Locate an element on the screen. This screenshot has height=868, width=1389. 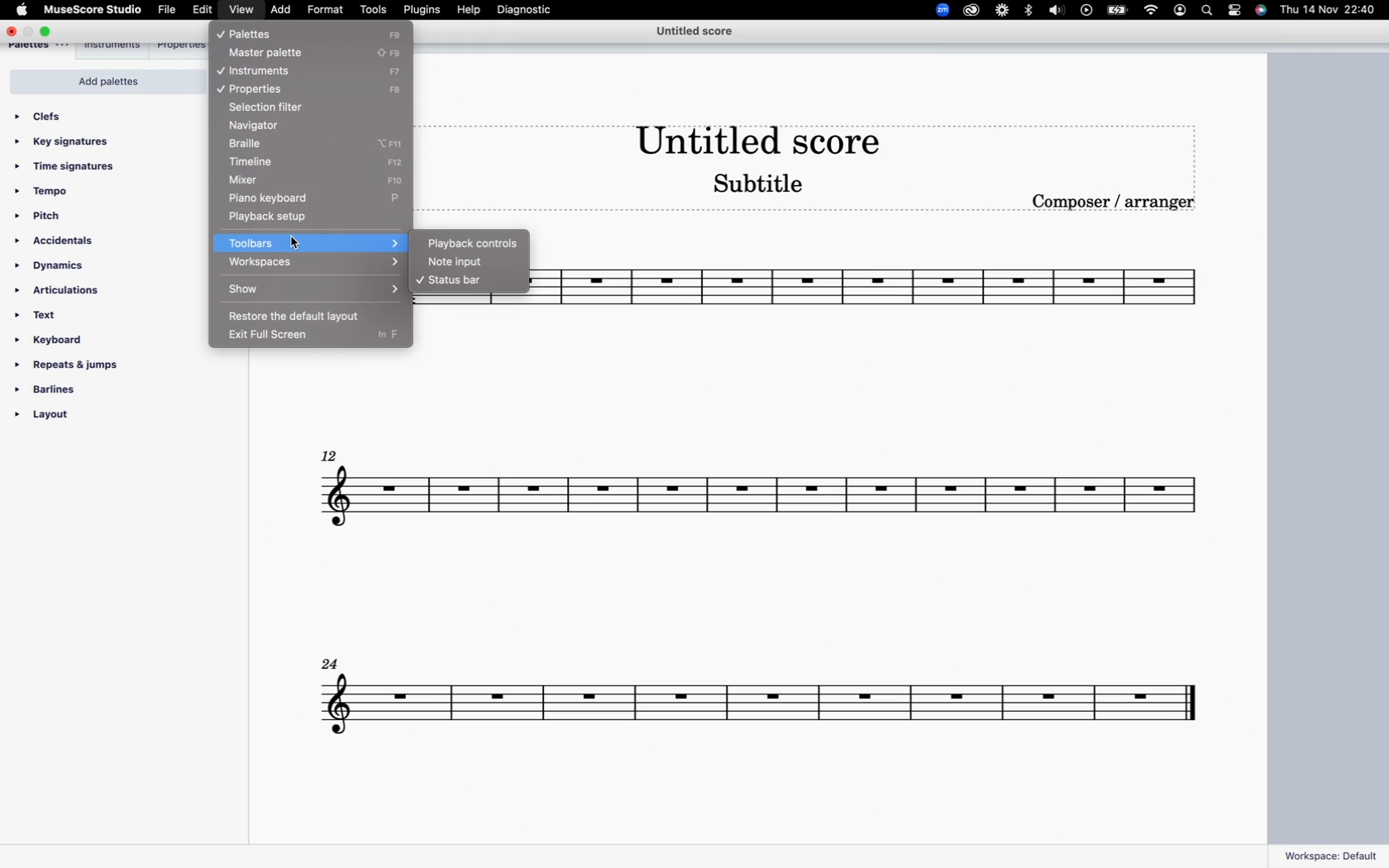
search is located at coordinates (1207, 11).